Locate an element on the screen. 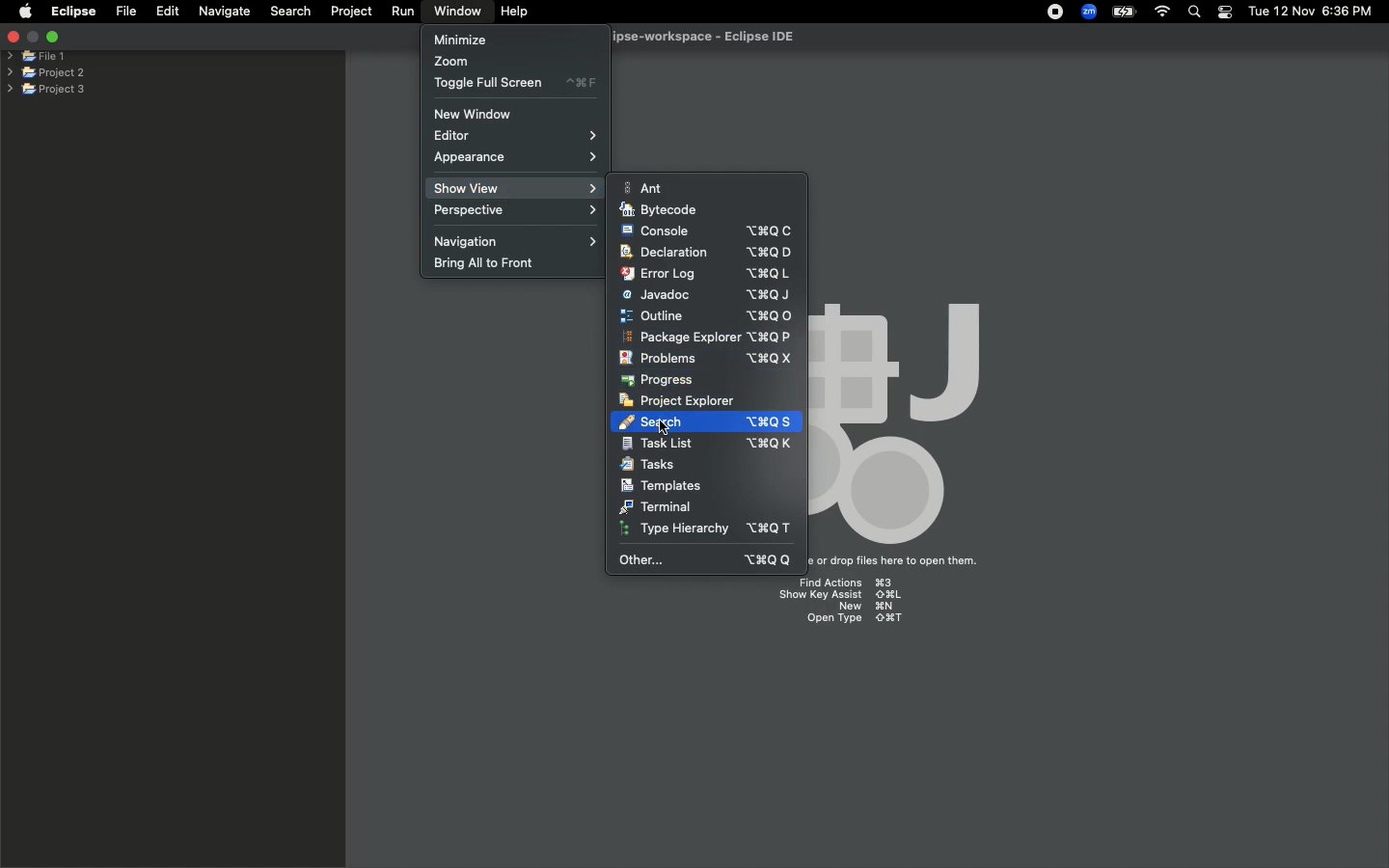 The width and height of the screenshot is (1389, 868). Help is located at coordinates (516, 12).